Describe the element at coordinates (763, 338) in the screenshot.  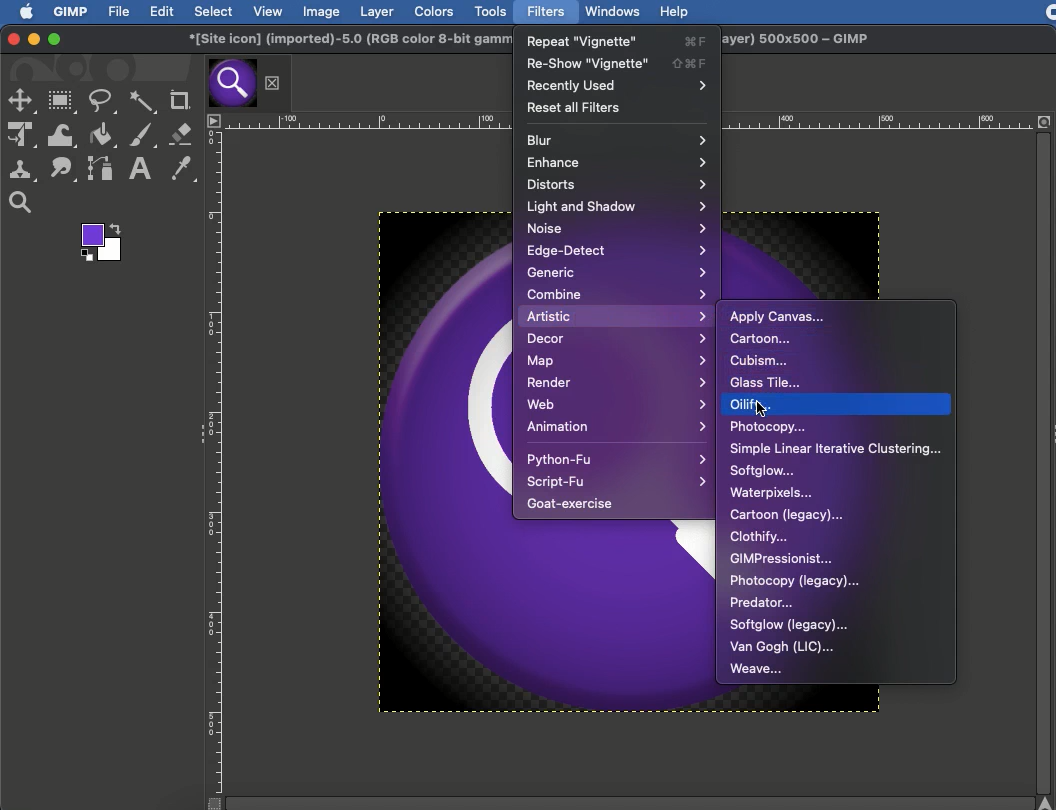
I see `Cartoon` at that location.